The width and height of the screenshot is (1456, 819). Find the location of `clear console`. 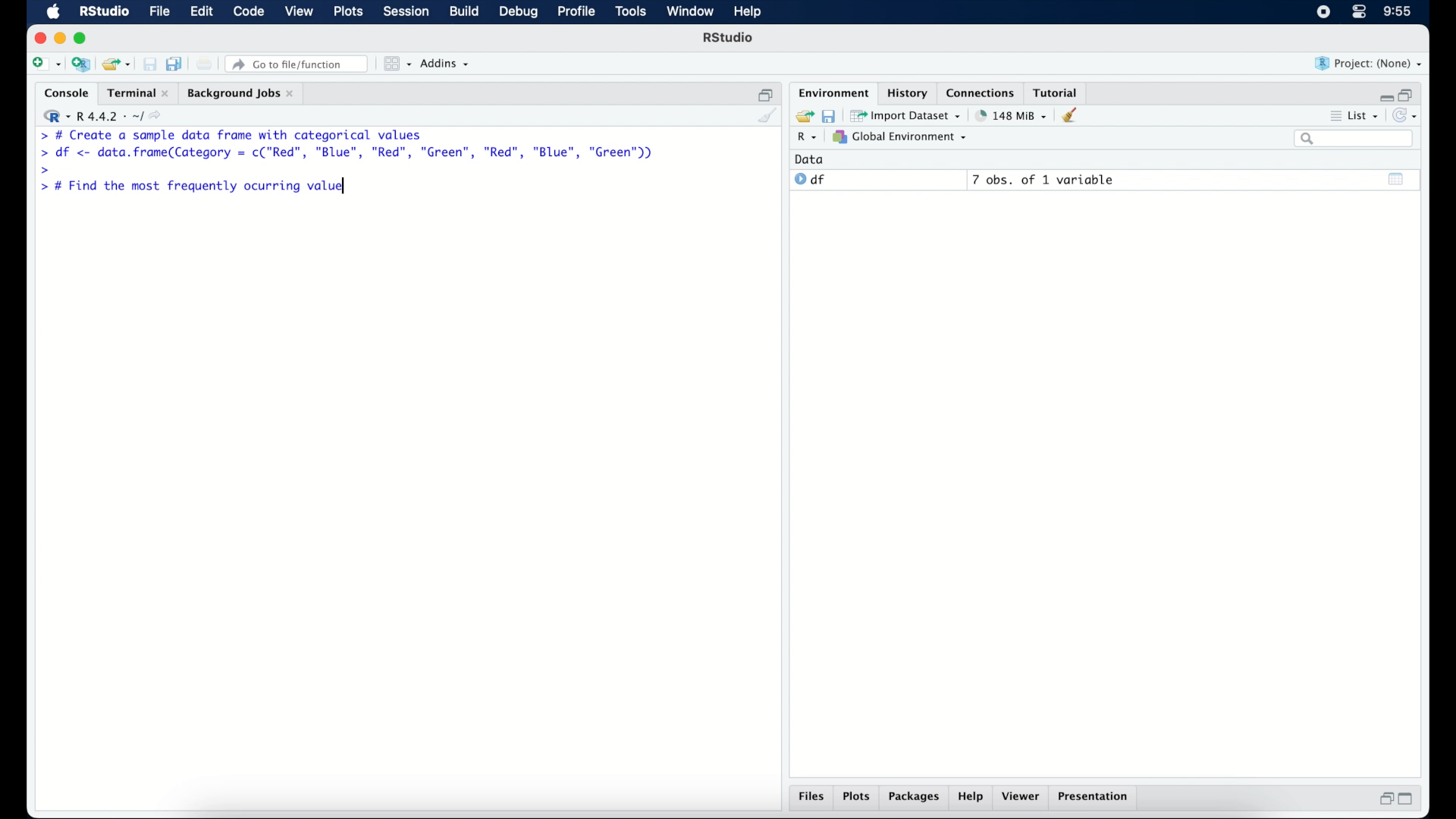

clear console is located at coordinates (768, 116).